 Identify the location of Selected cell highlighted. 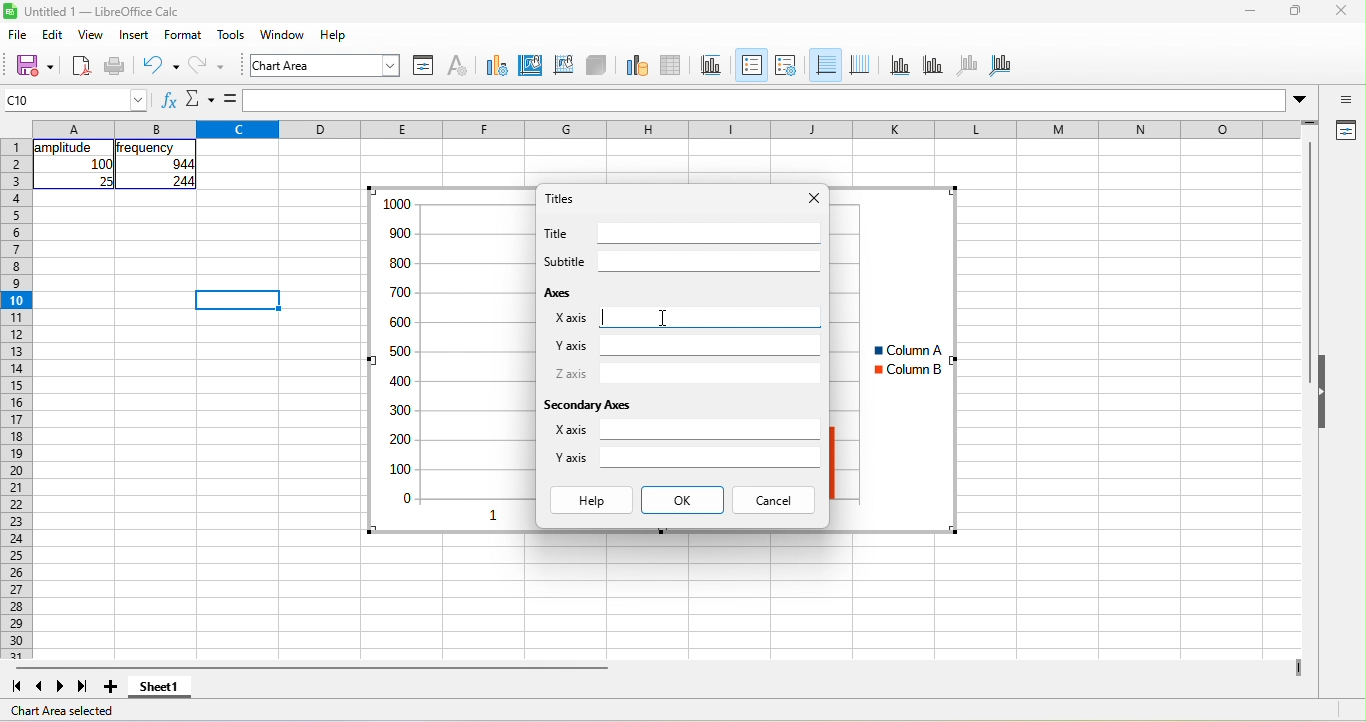
(237, 300).